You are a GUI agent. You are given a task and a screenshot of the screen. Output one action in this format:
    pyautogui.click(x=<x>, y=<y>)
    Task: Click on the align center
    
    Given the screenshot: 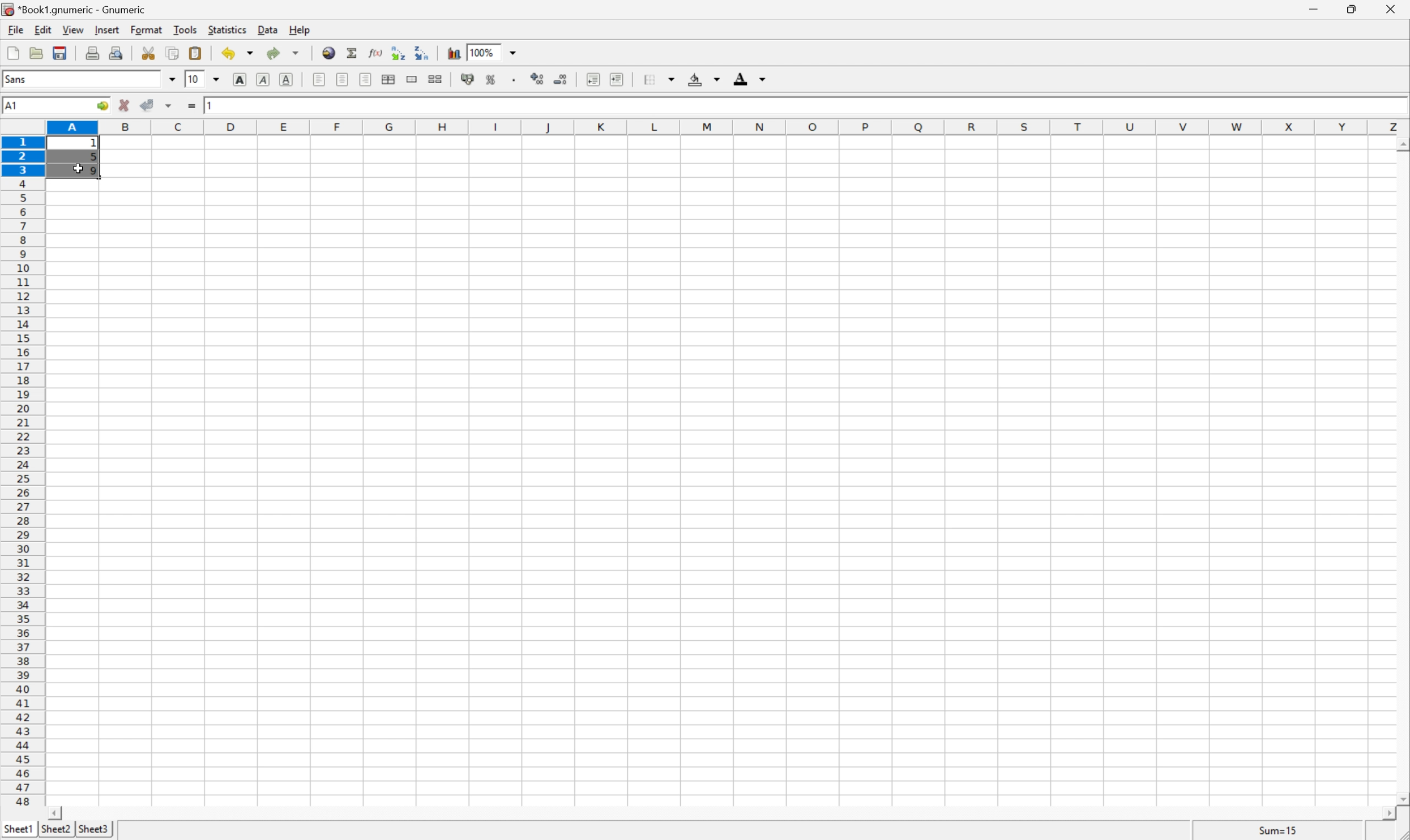 What is the action you would take?
    pyautogui.click(x=343, y=79)
    